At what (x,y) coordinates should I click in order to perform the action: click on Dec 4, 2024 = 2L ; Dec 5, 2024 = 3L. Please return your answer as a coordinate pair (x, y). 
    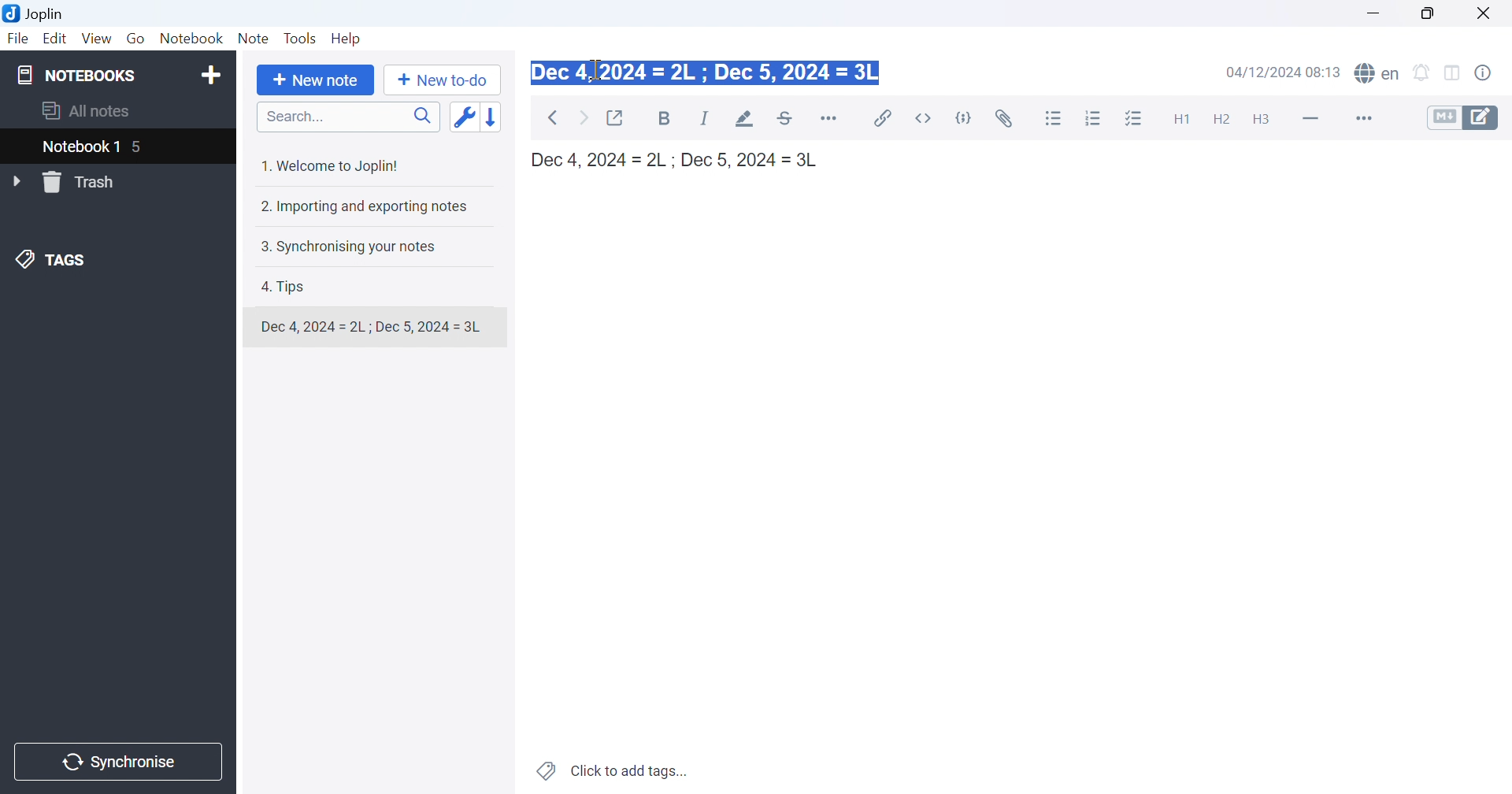
    Looking at the image, I should click on (707, 75).